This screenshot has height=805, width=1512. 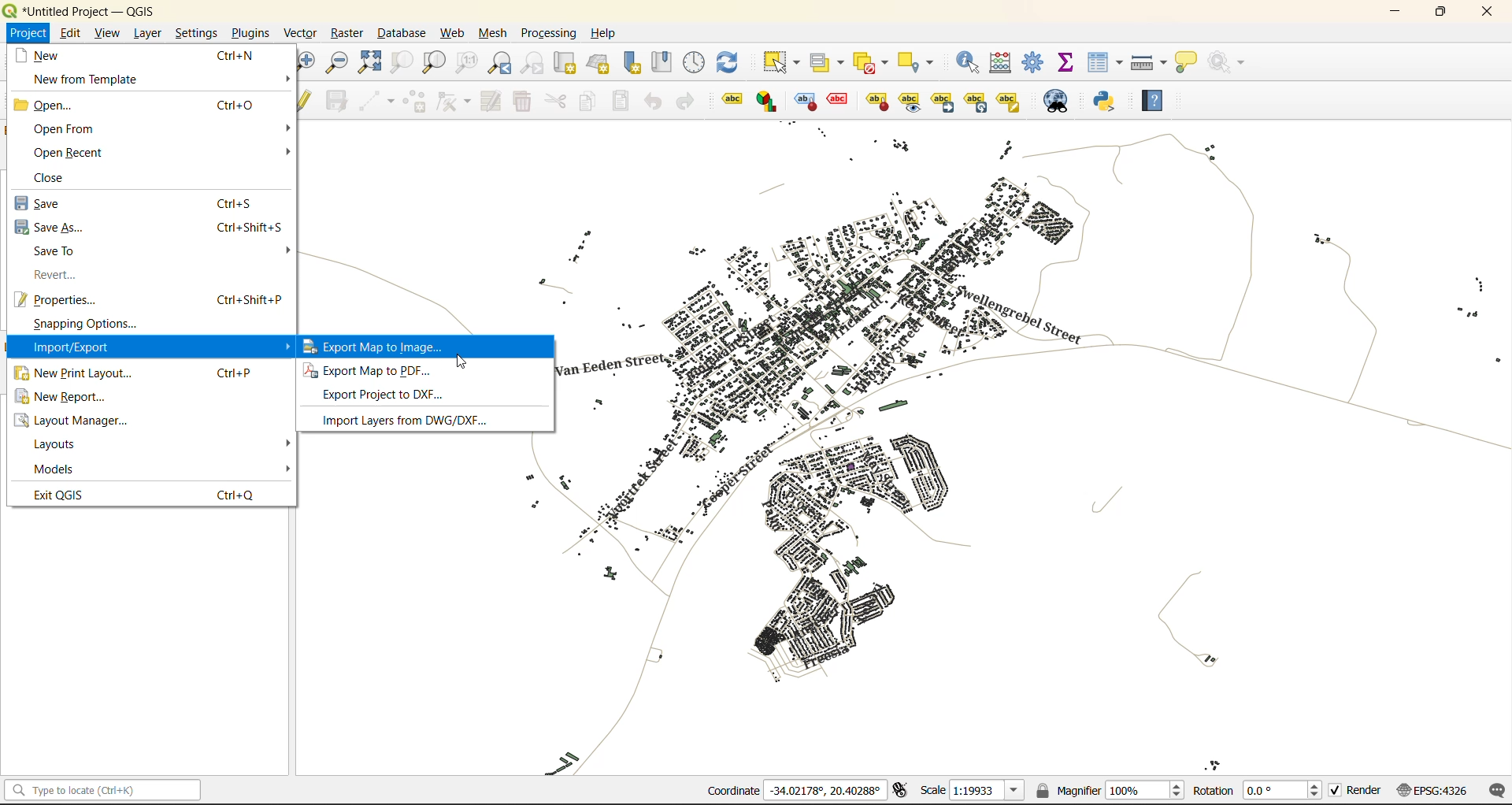 I want to click on save to, so click(x=61, y=252).